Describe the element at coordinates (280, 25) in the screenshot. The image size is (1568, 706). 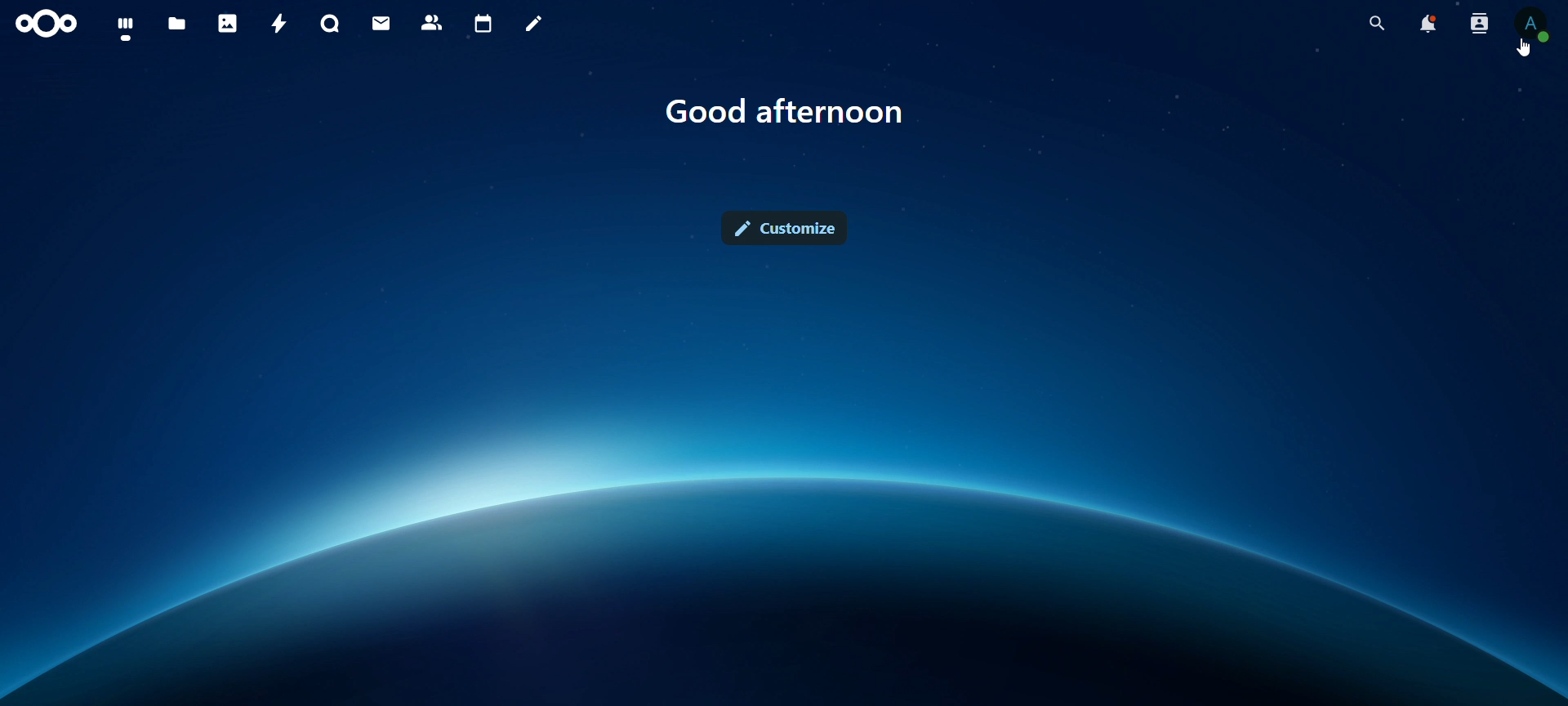
I see `activity` at that location.